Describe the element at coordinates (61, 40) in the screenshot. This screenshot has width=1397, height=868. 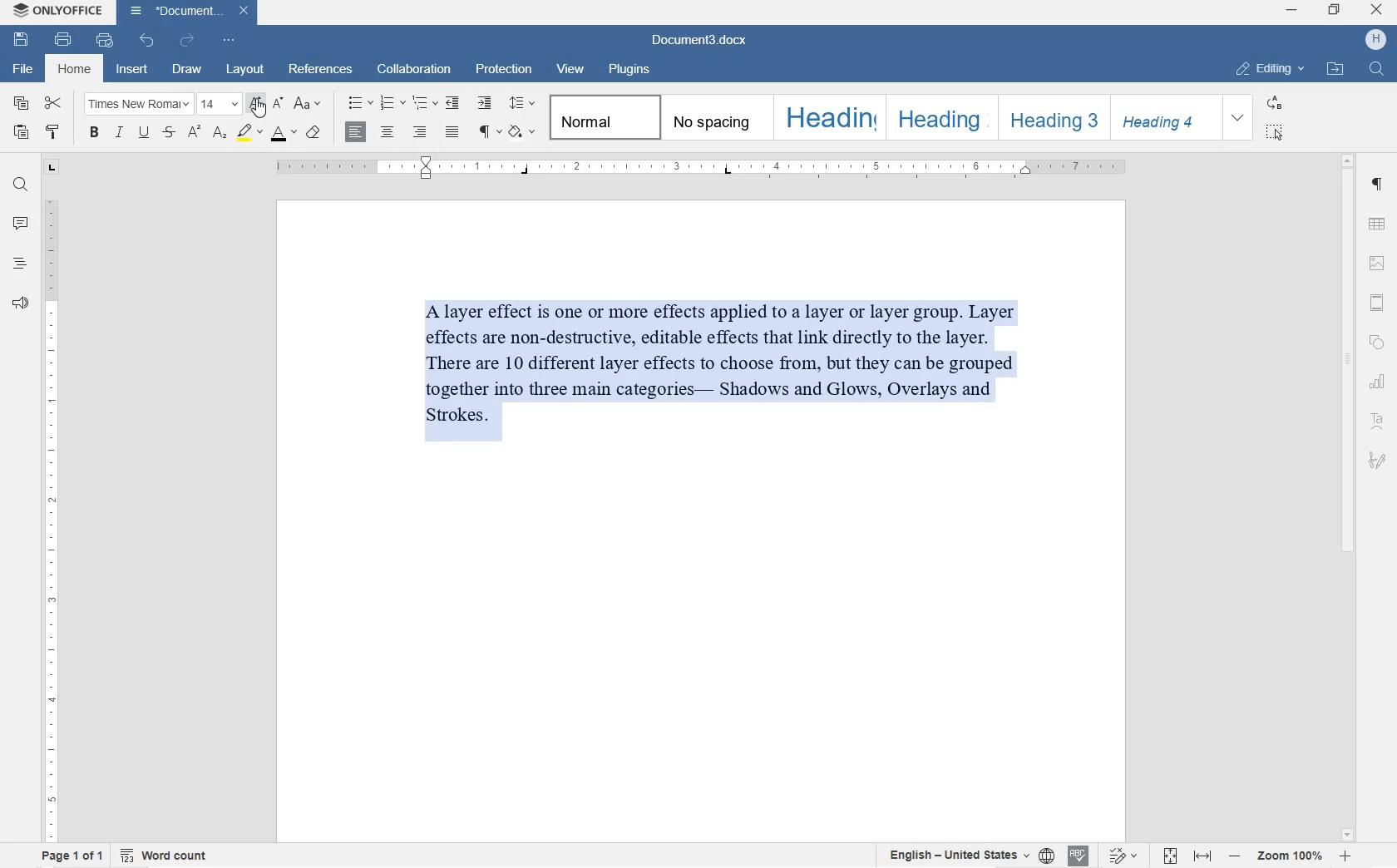
I see `print` at that location.